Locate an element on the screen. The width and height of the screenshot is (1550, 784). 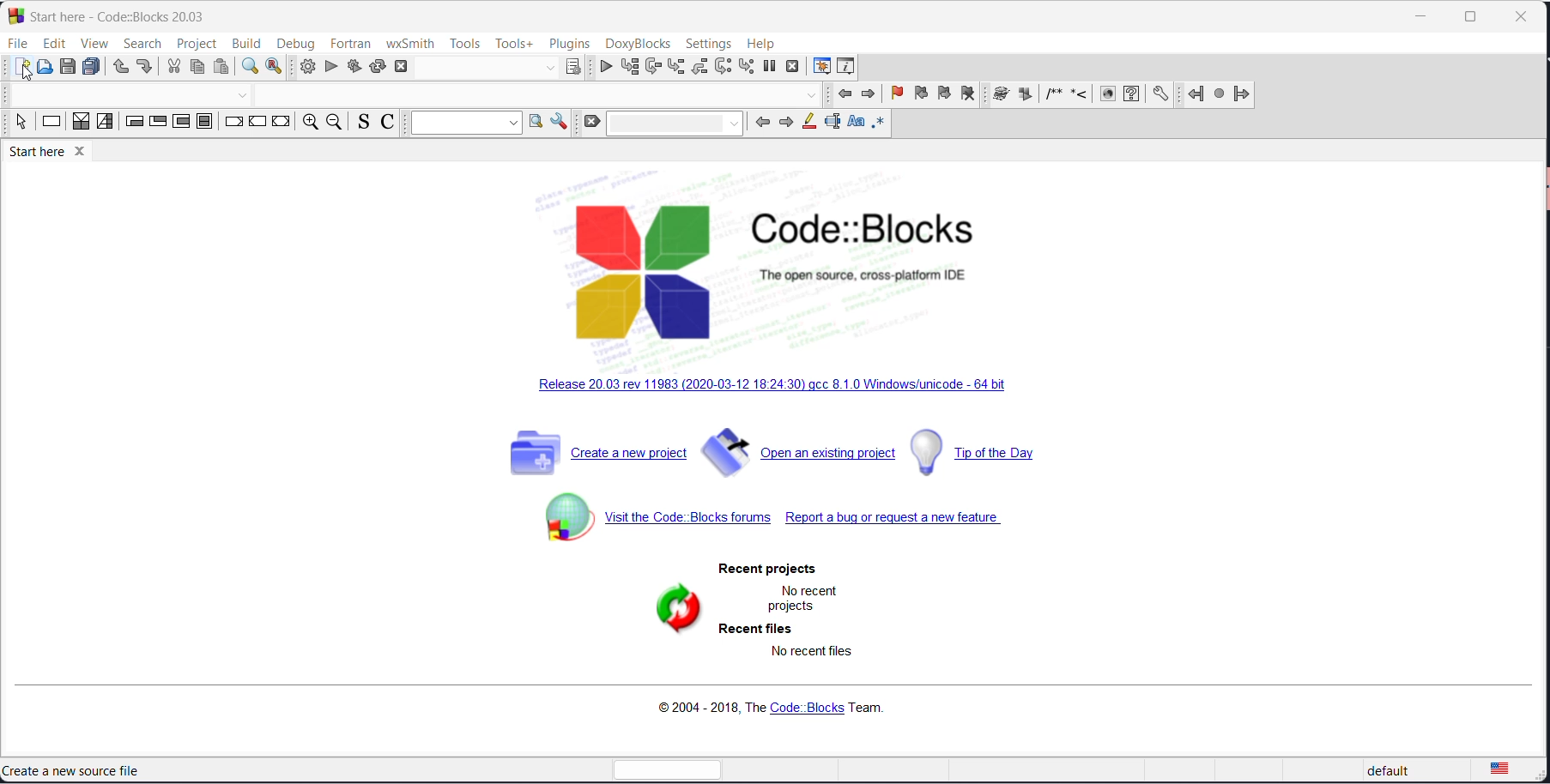
build and run is located at coordinates (352, 66).